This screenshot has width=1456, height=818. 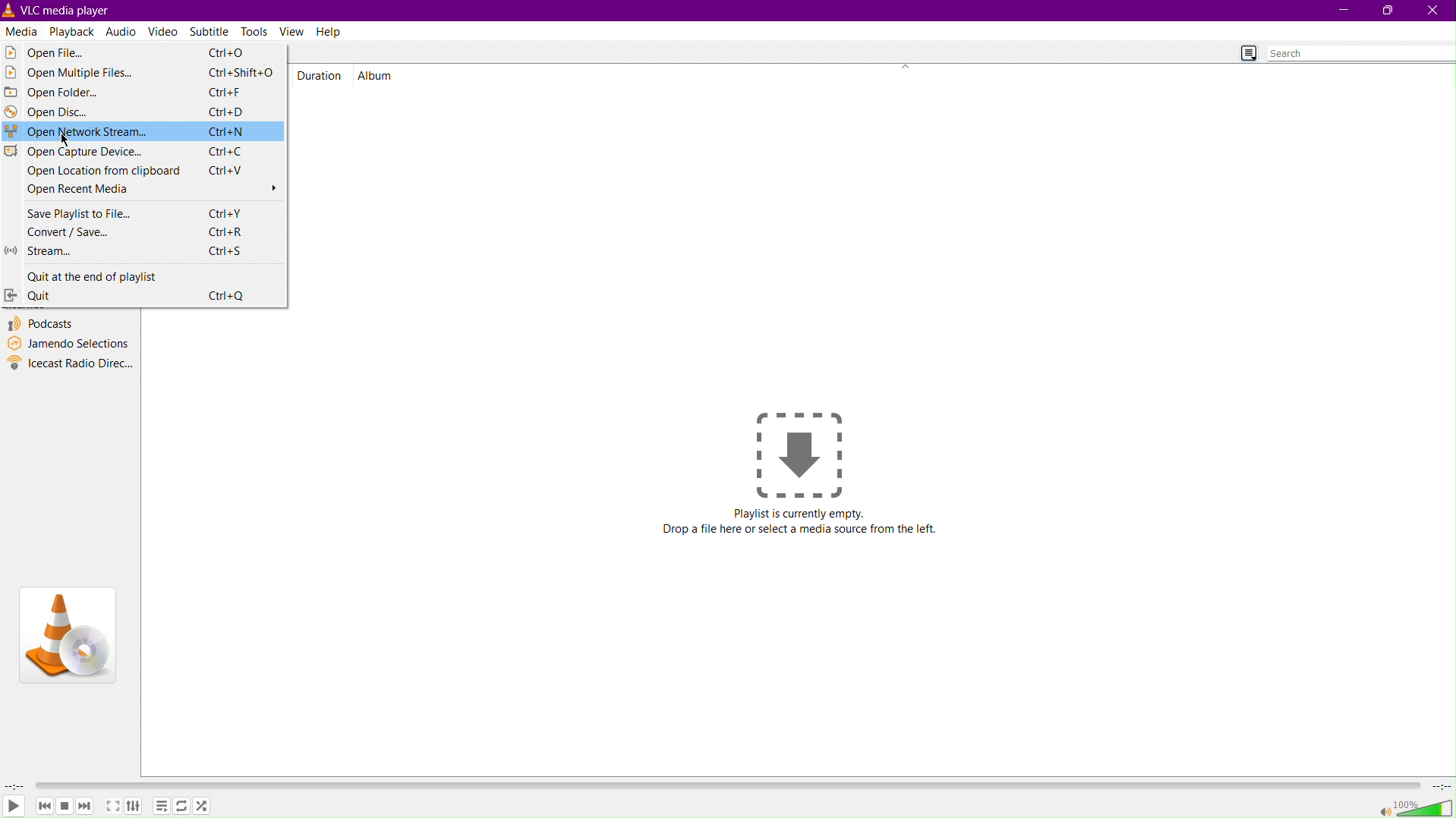 What do you see at coordinates (213, 32) in the screenshot?
I see `Subtitle` at bounding box center [213, 32].